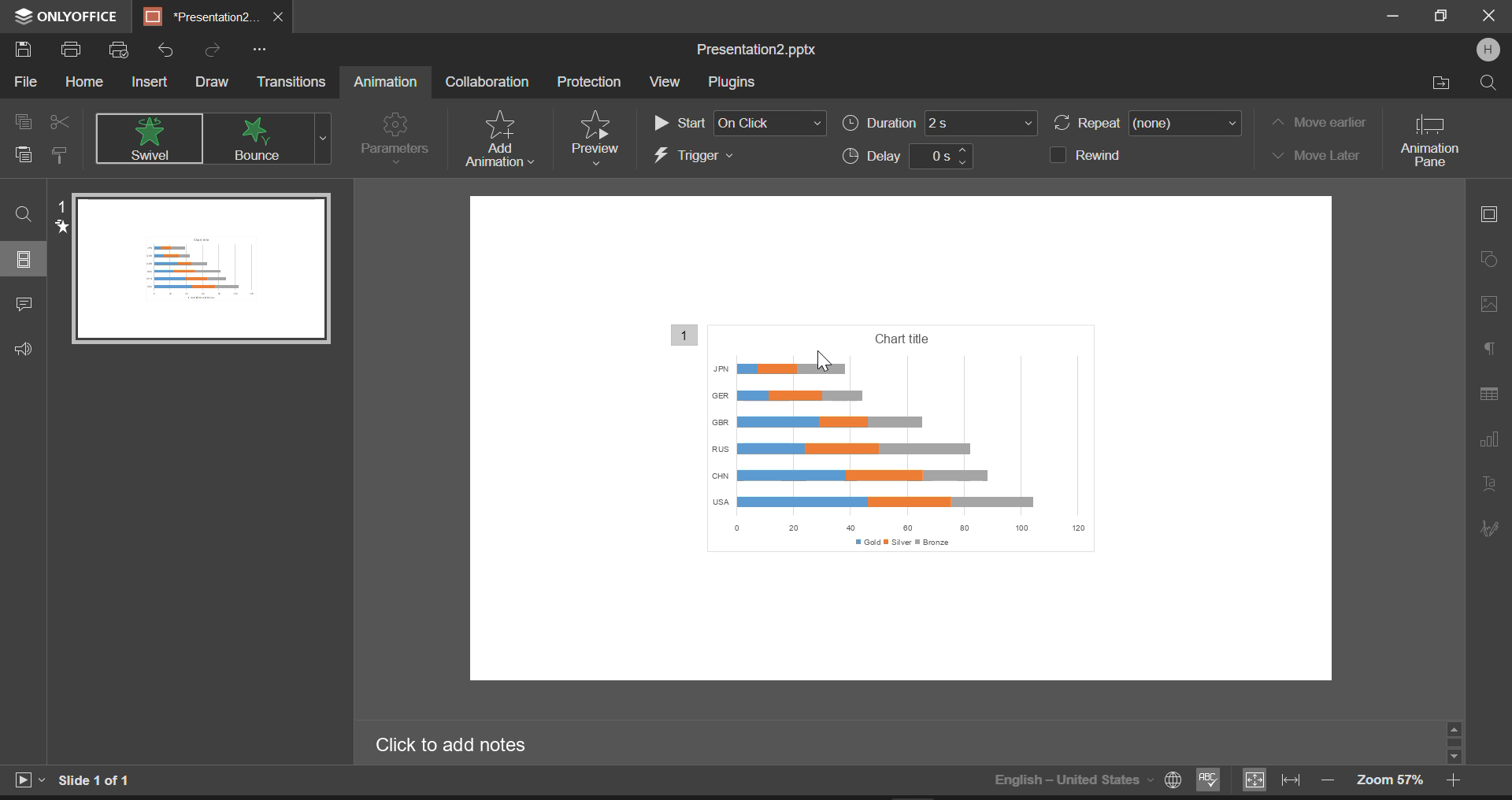  Describe the element at coordinates (195, 268) in the screenshot. I see `Animation Applied to Slide 1` at that location.